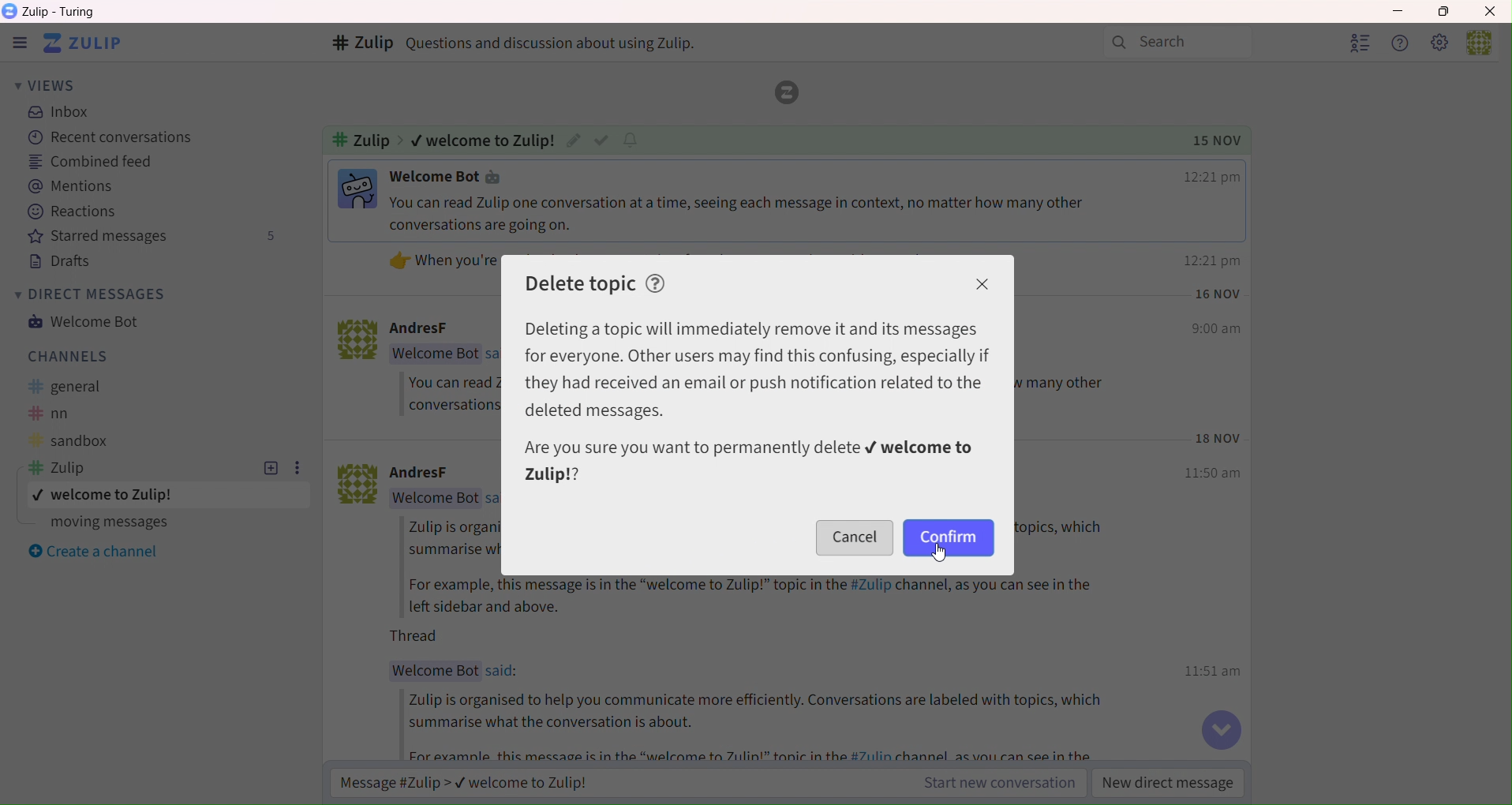  What do you see at coordinates (147, 235) in the screenshot?
I see `Starred messages` at bounding box center [147, 235].